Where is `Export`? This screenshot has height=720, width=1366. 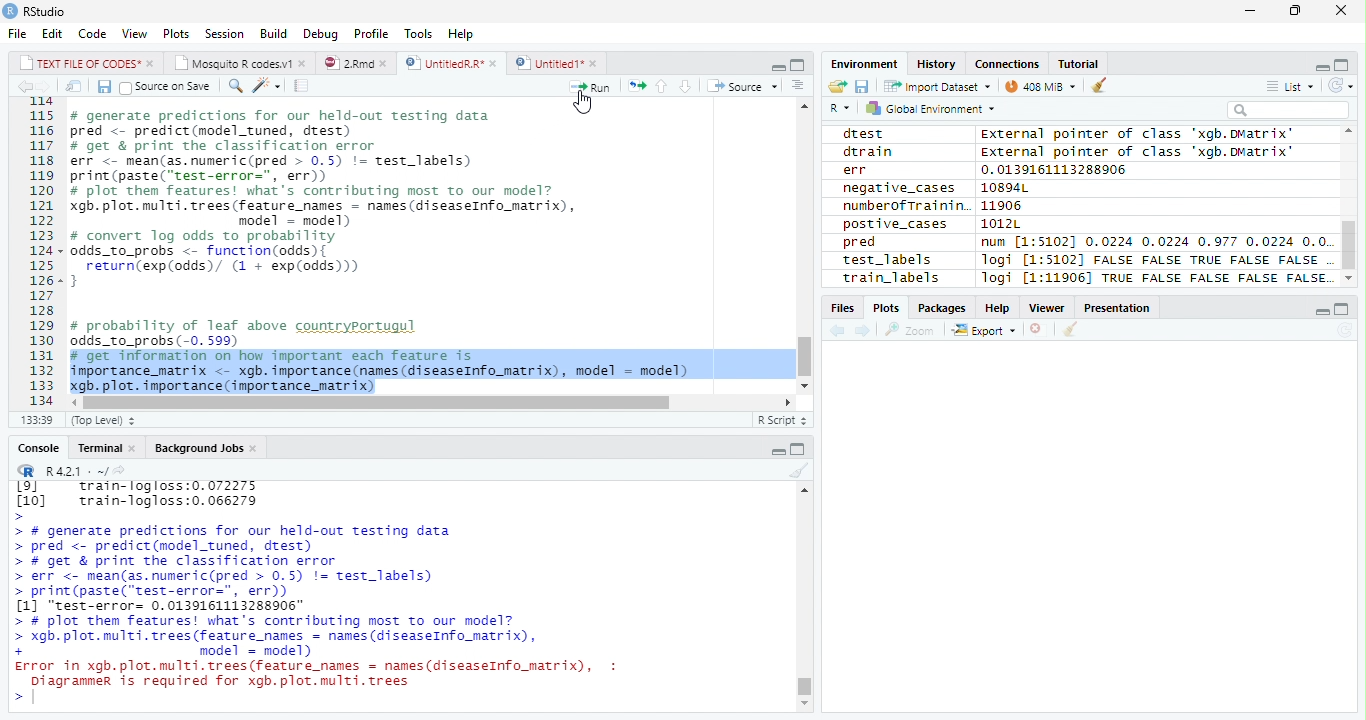
Export is located at coordinates (984, 330).